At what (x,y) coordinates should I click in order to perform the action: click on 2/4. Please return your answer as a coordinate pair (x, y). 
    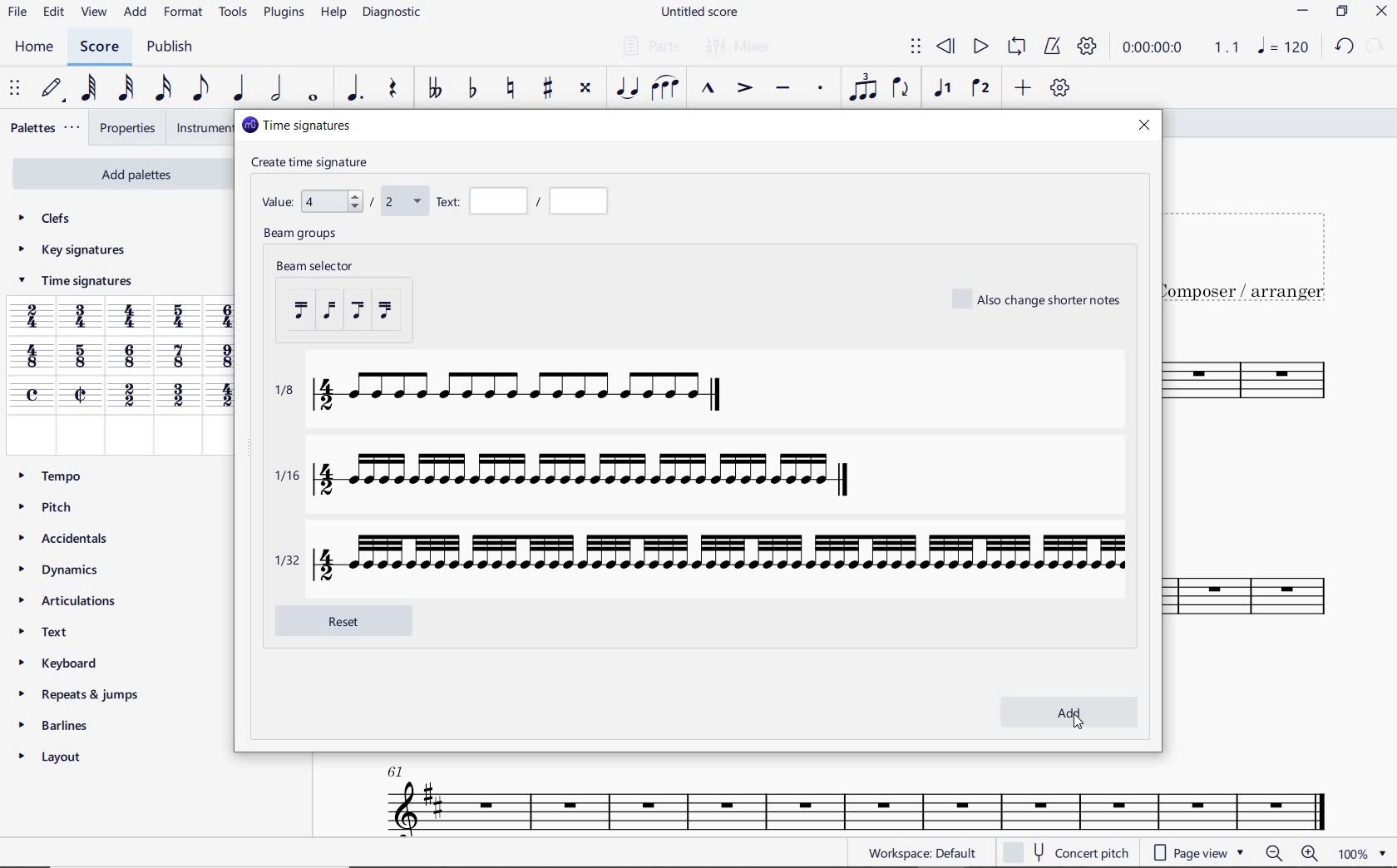
    Looking at the image, I should click on (32, 316).